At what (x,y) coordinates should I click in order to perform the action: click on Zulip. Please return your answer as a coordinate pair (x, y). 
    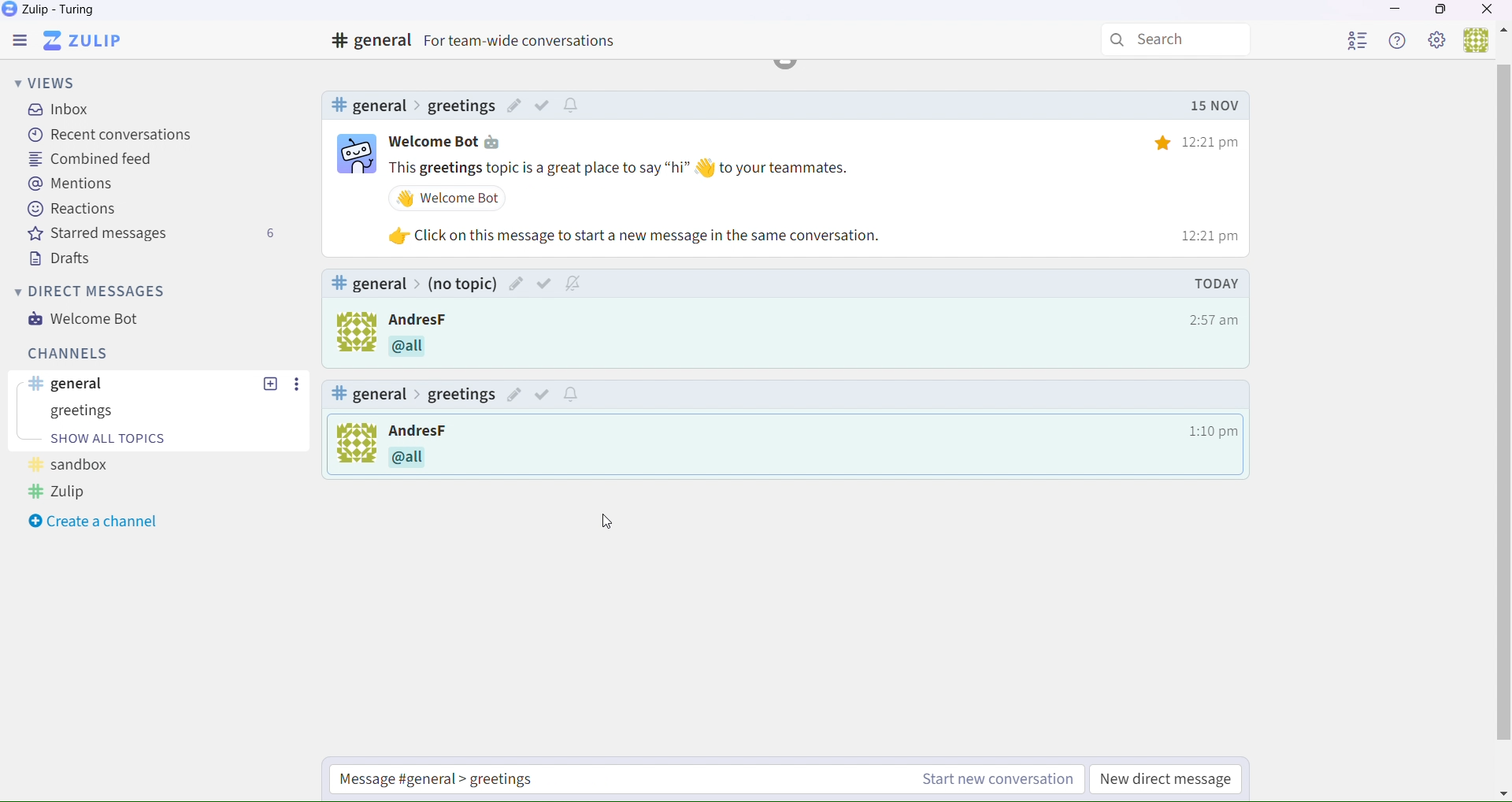
    Looking at the image, I should click on (92, 39).